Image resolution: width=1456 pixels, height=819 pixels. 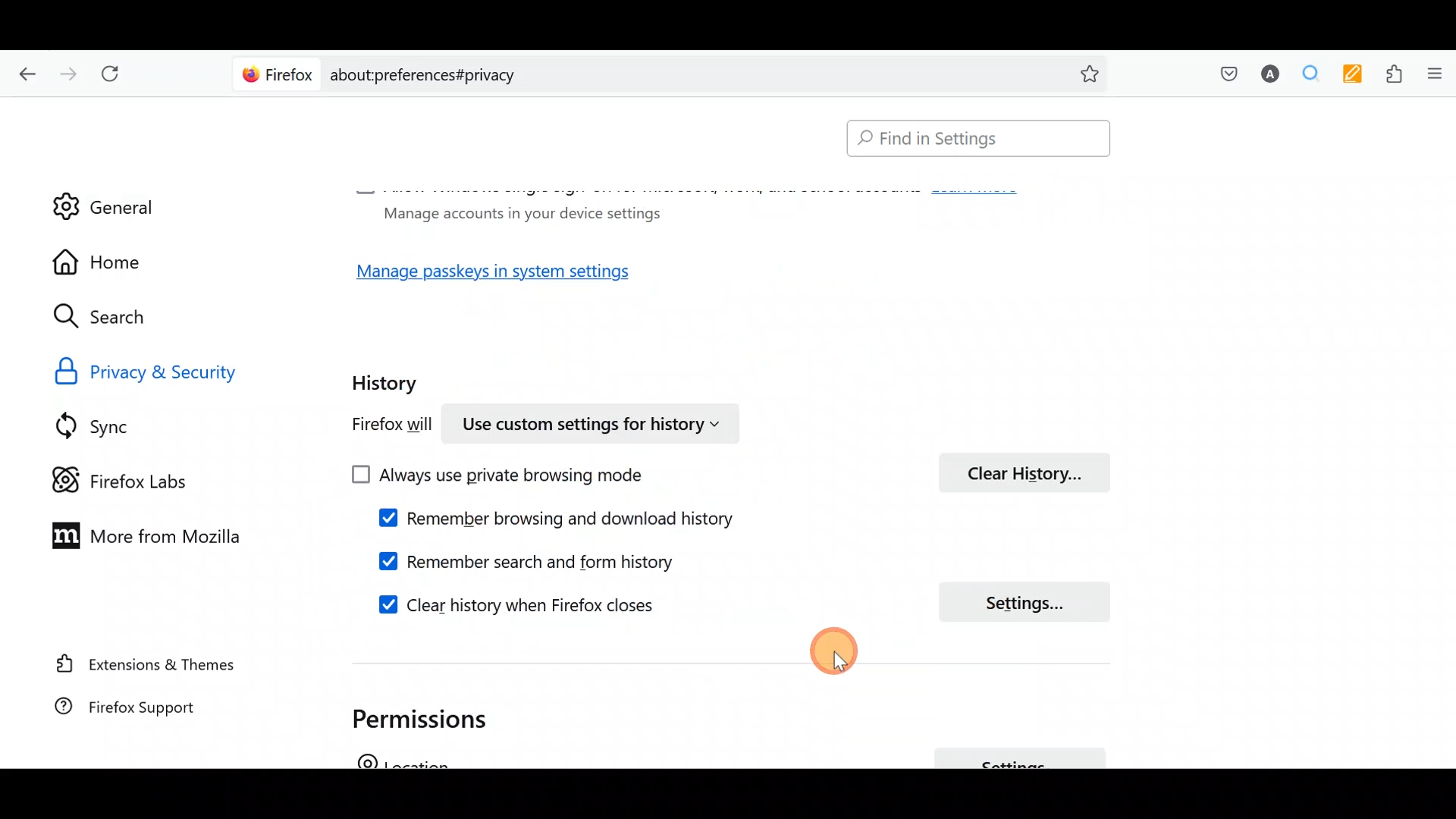 I want to click on Go forward one page, so click(x=67, y=70).